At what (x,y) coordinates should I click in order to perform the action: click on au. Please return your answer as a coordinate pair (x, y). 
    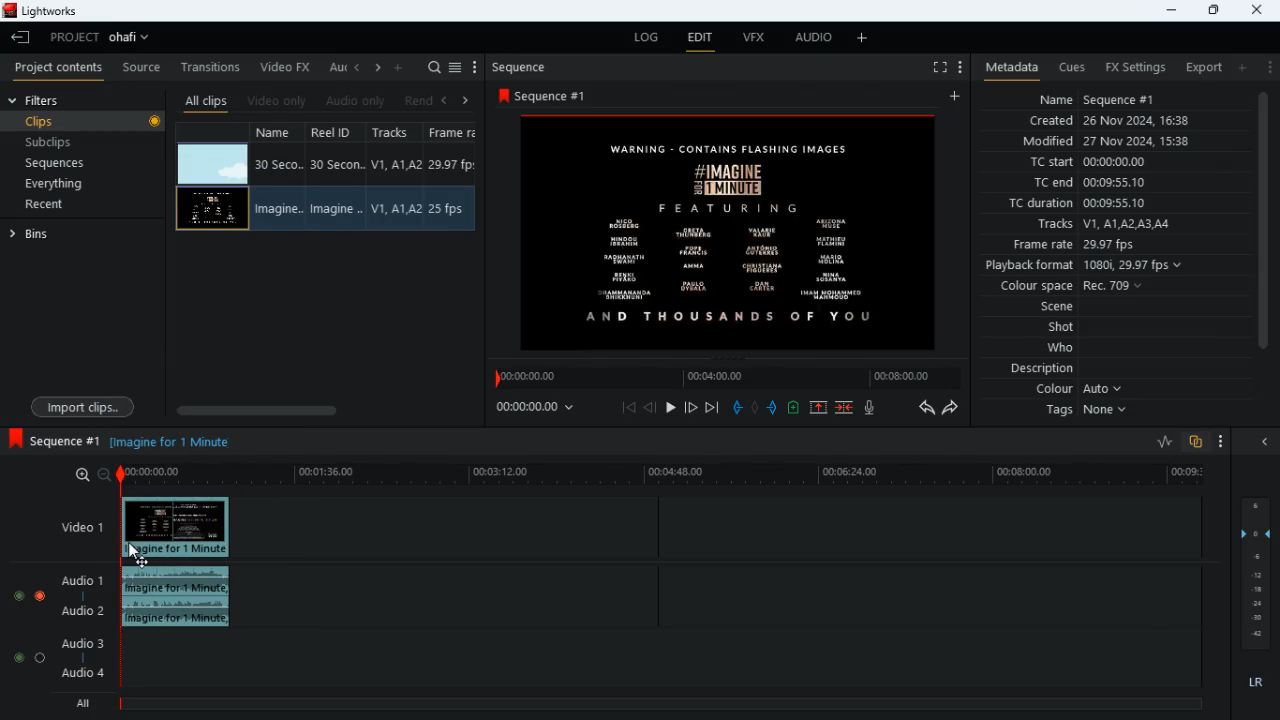
    Looking at the image, I should click on (338, 66).